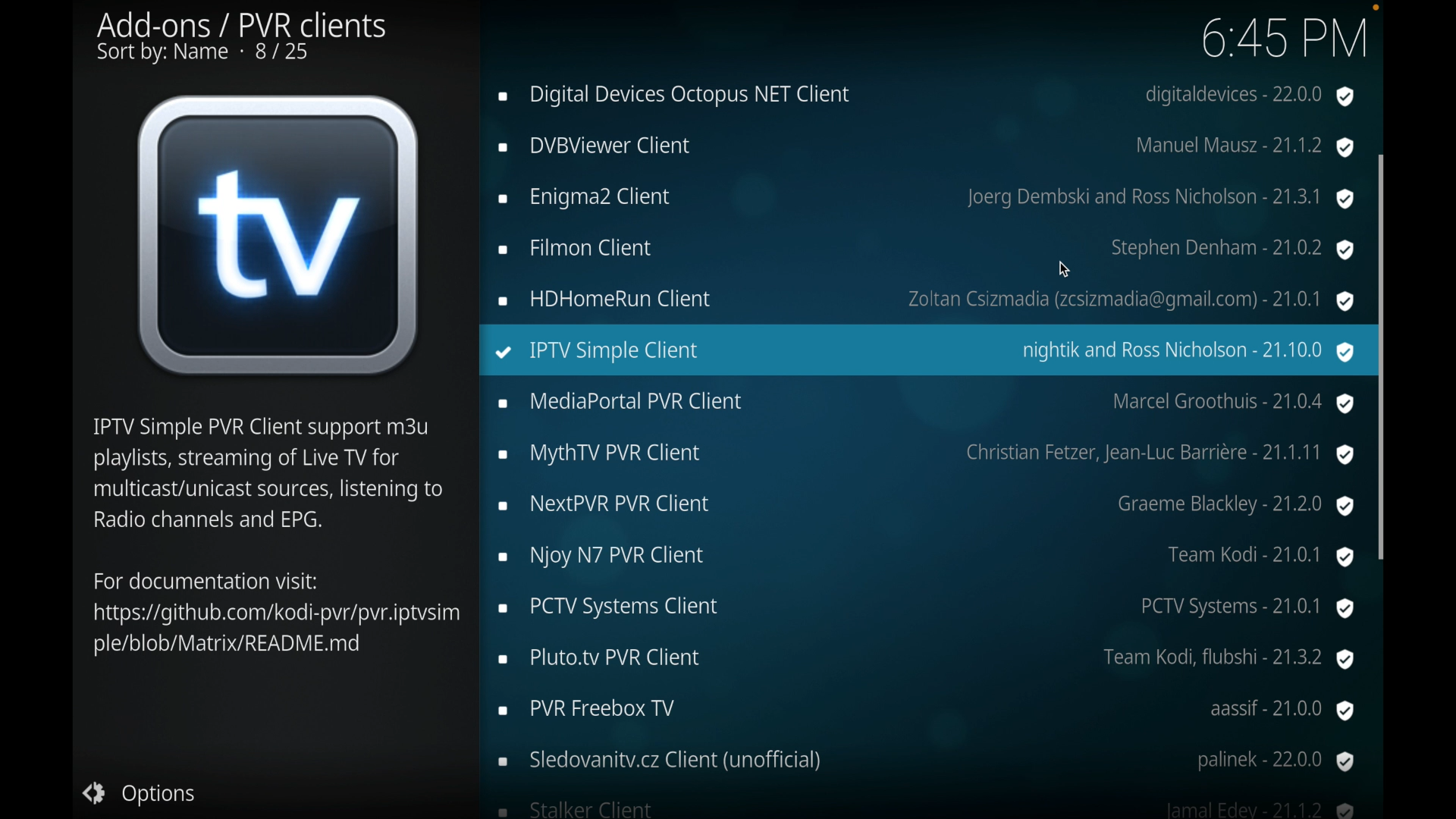 This screenshot has width=1456, height=819. What do you see at coordinates (1065, 269) in the screenshot?
I see `cursor` at bounding box center [1065, 269].